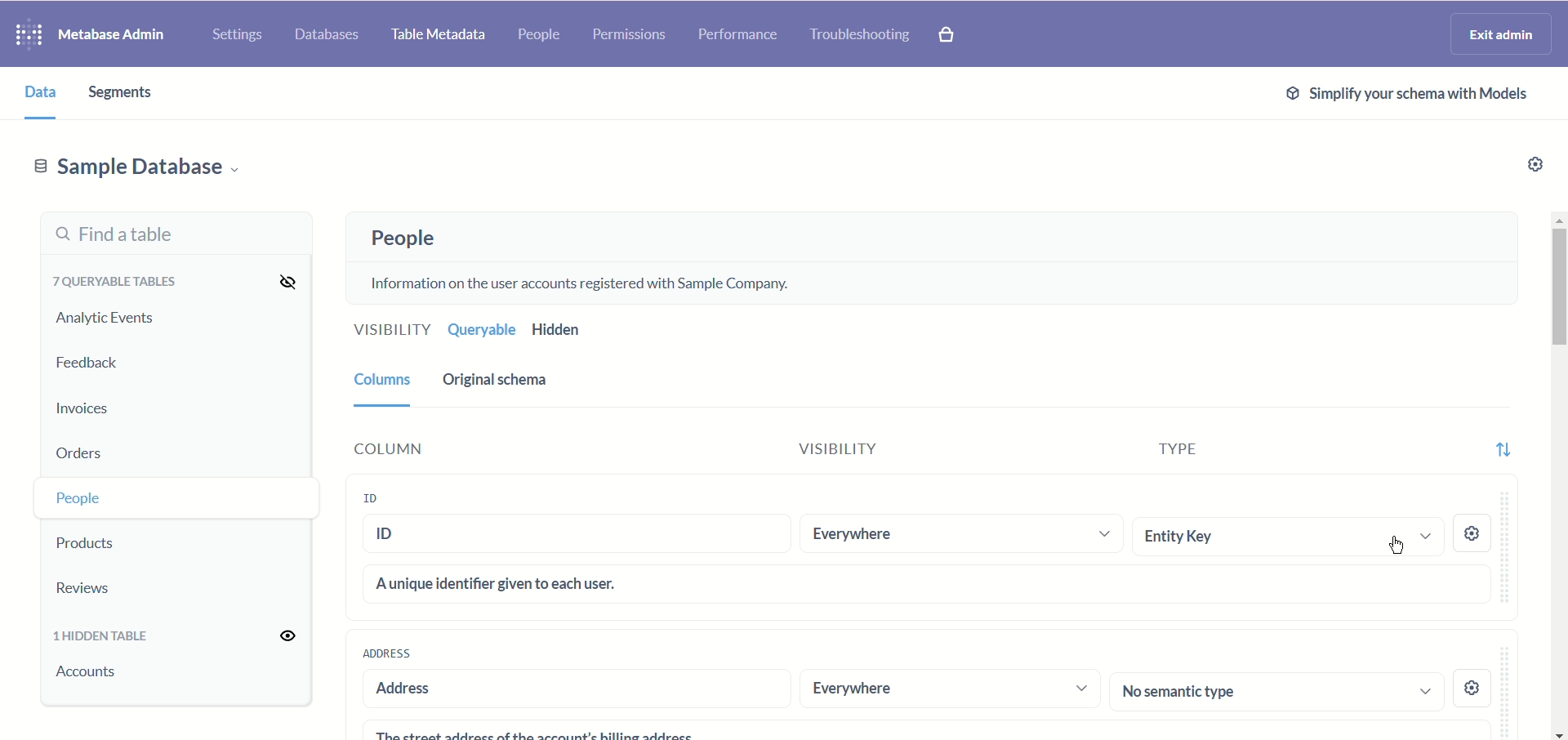 This screenshot has height=740, width=1568. Describe the element at coordinates (542, 36) in the screenshot. I see `People` at that location.